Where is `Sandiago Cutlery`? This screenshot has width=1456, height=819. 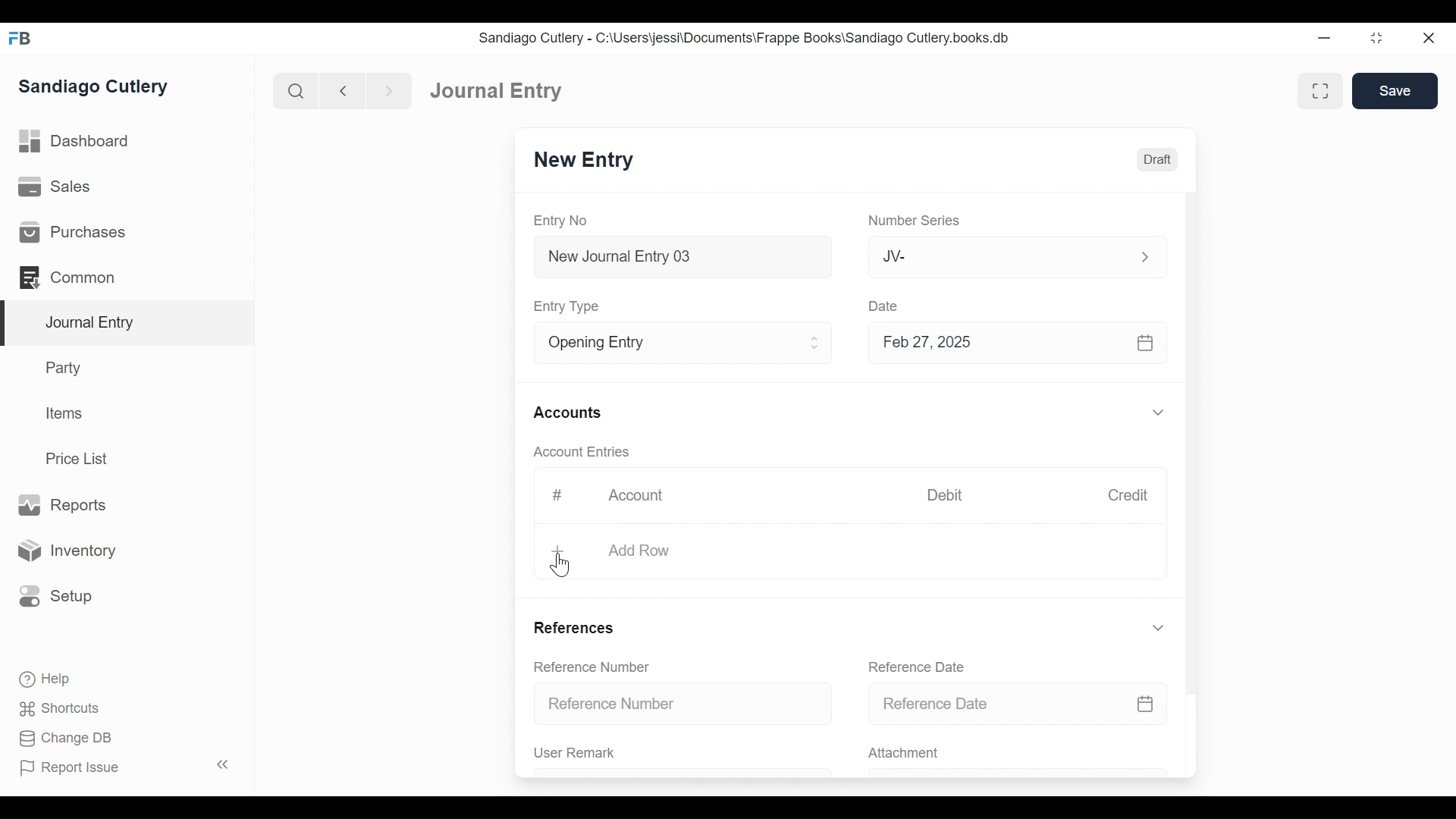 Sandiago Cutlery is located at coordinates (96, 88).